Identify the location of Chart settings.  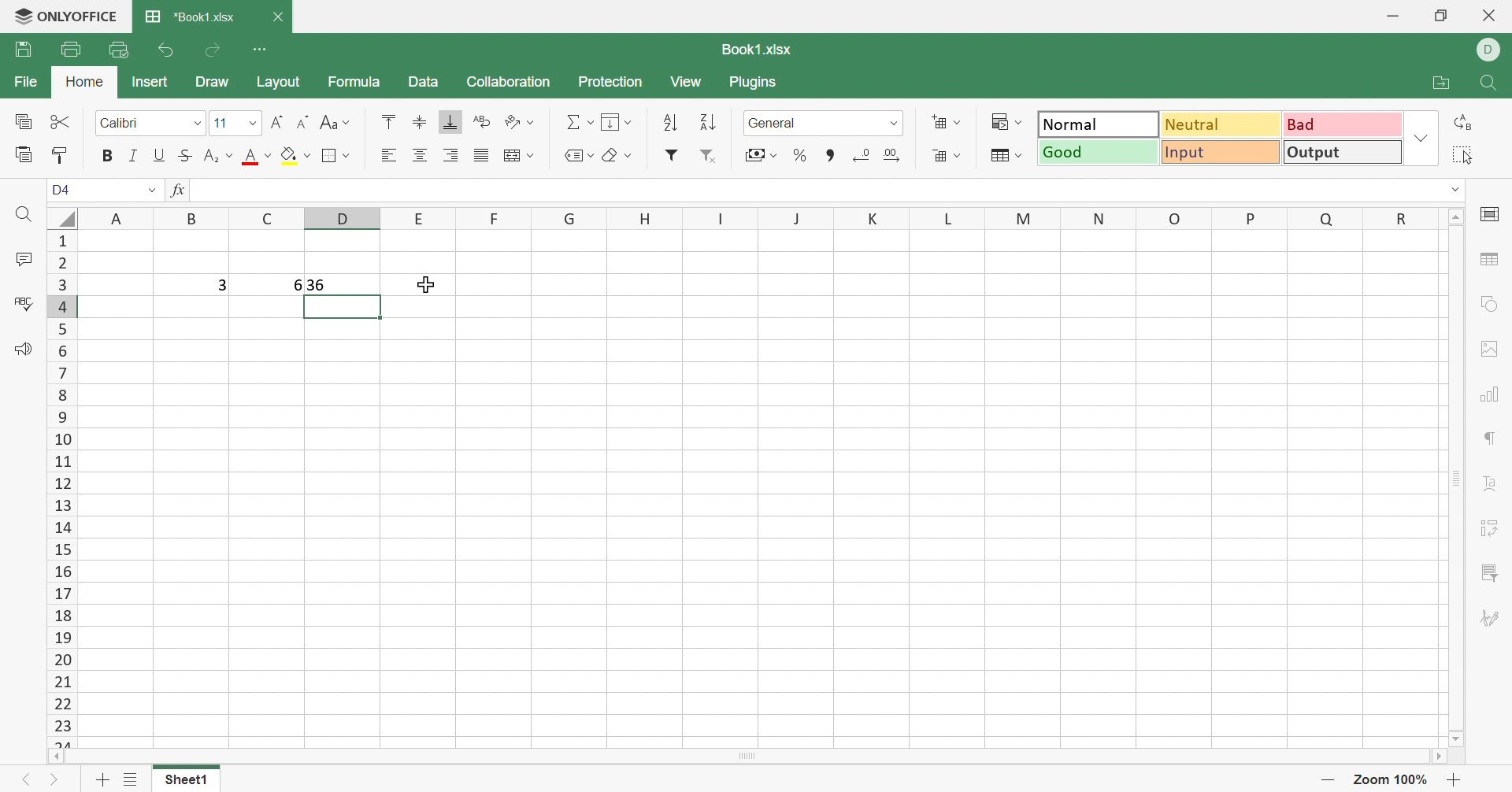
(1493, 396).